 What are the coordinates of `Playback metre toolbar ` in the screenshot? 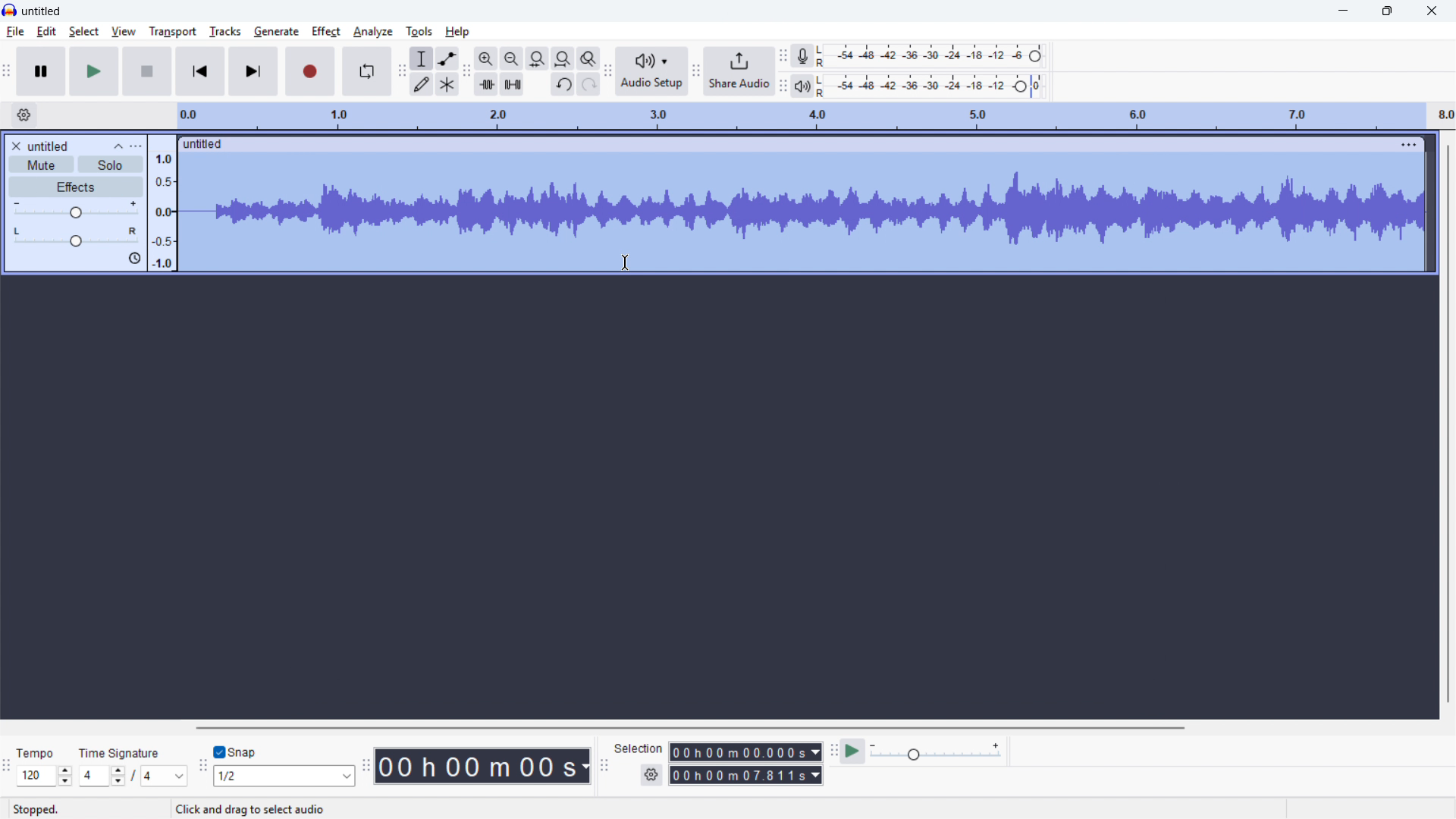 It's located at (782, 88).